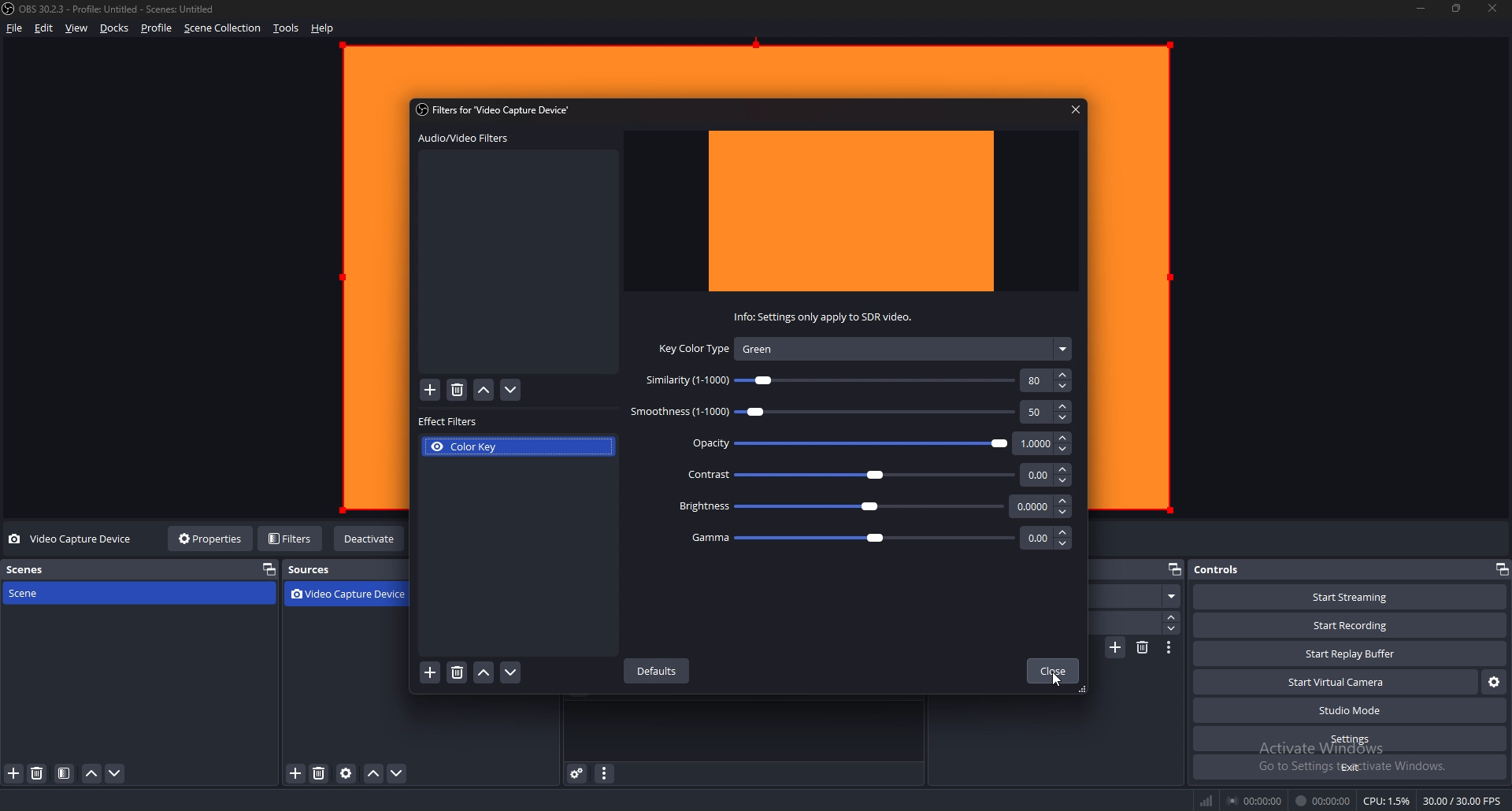 This screenshot has height=811, width=1512. Describe the element at coordinates (854, 212) in the screenshot. I see `preview` at that location.